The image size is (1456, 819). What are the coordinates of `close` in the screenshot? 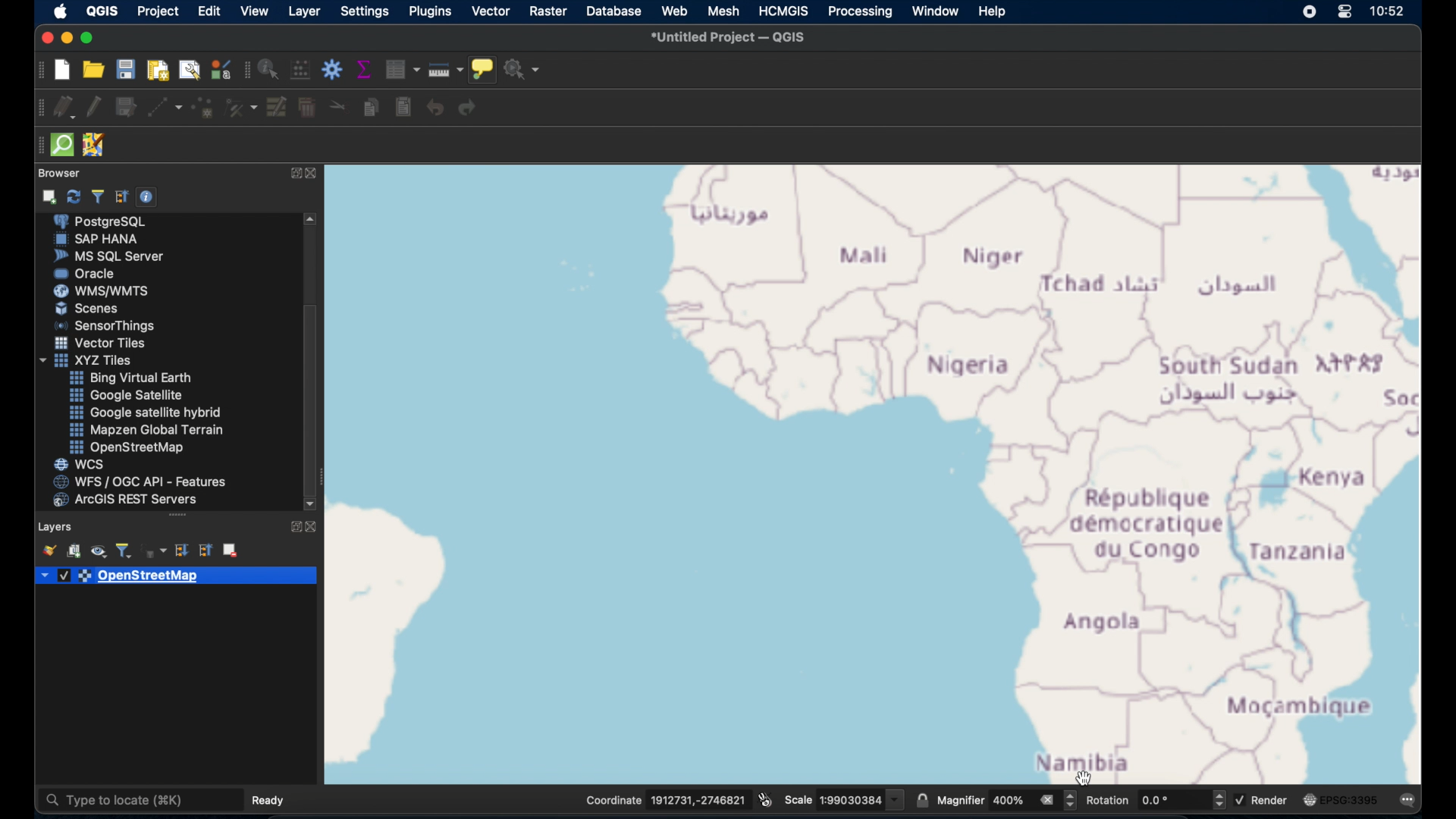 It's located at (315, 174).